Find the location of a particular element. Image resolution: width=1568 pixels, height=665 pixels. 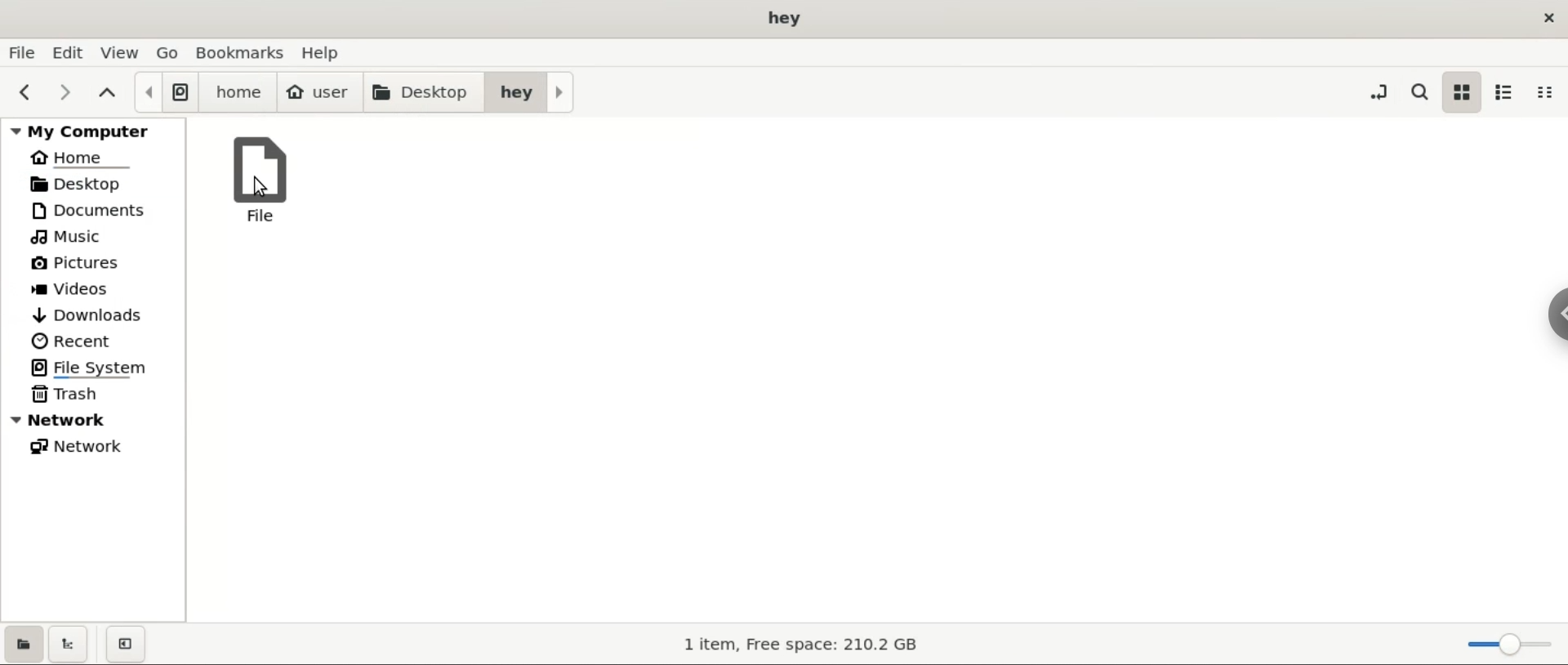

documents is located at coordinates (93, 213).